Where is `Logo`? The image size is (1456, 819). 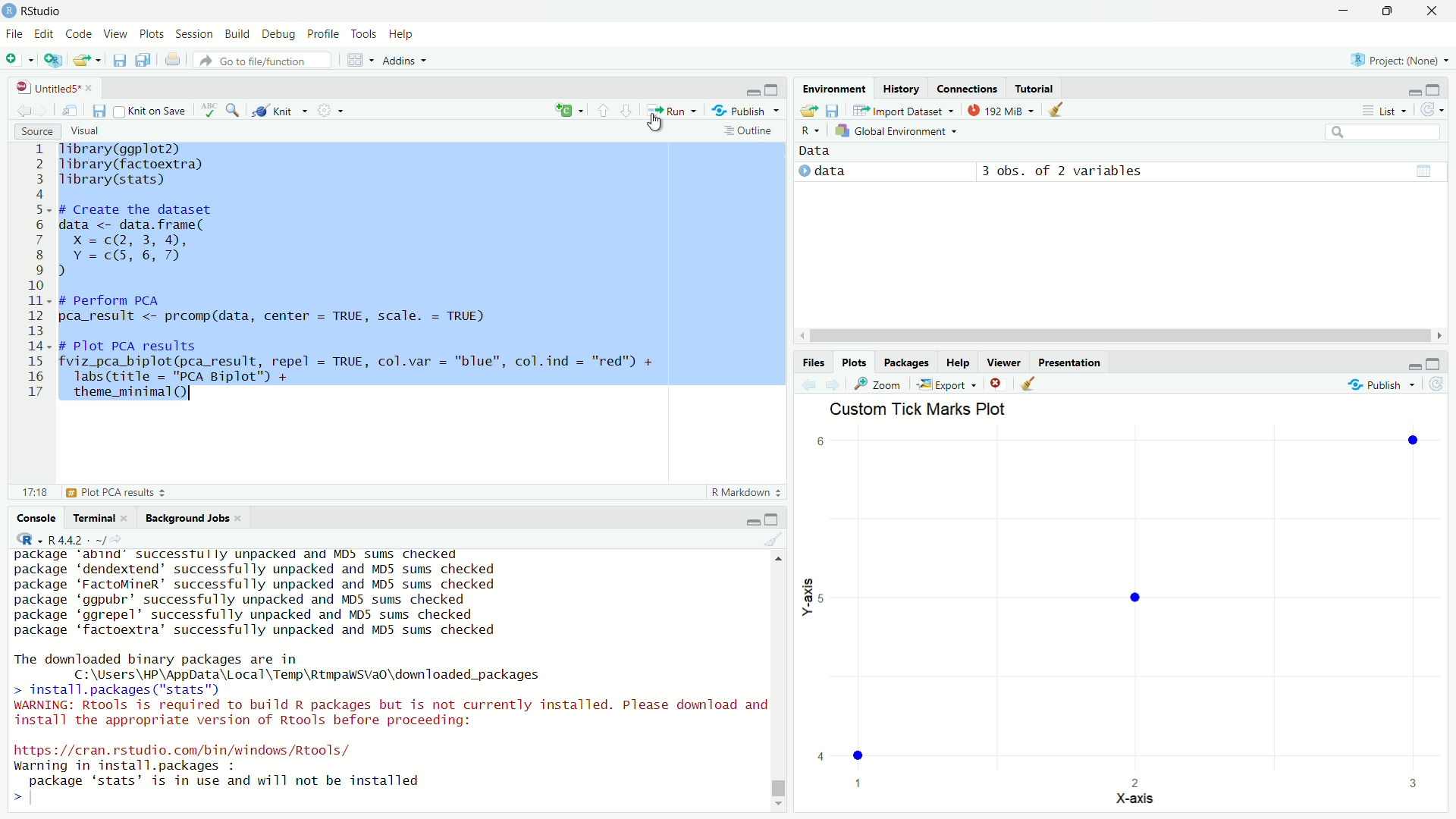 Logo is located at coordinates (10, 11).